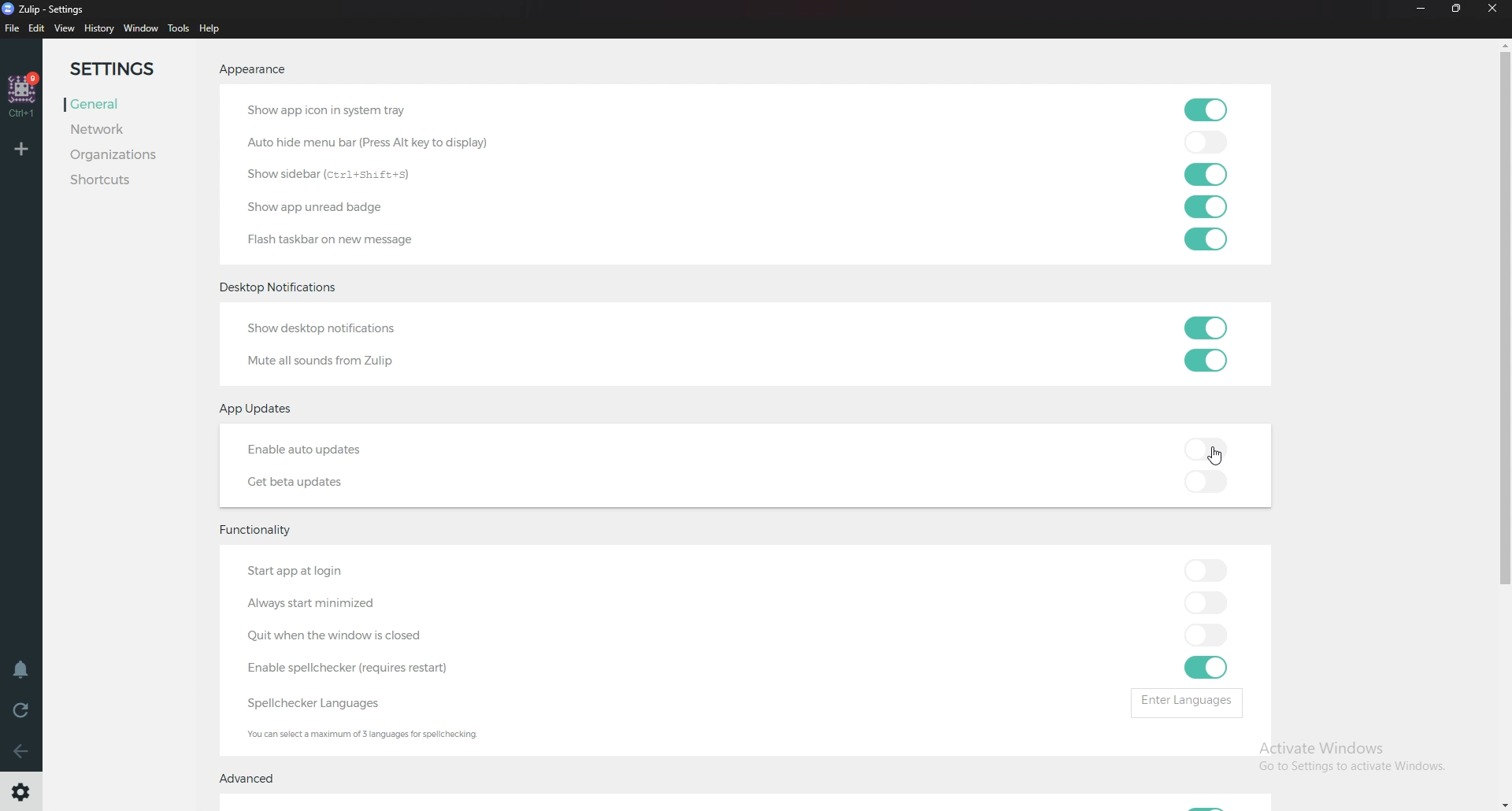  What do you see at coordinates (310, 705) in the screenshot?
I see `Spell checker languages` at bounding box center [310, 705].